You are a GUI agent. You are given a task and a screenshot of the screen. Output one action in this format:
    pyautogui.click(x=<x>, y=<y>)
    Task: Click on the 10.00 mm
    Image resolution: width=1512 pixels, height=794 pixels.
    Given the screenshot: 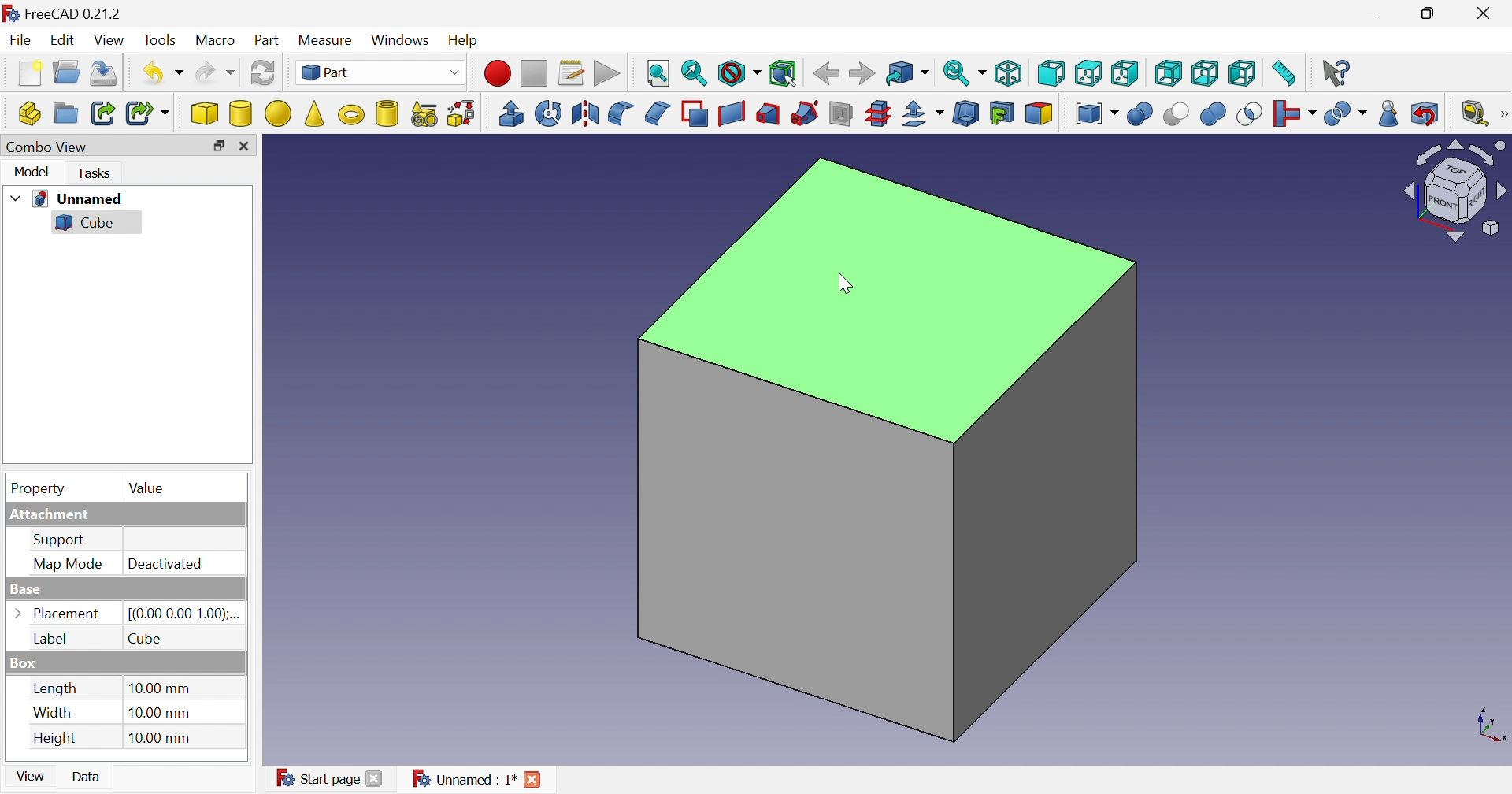 What is the action you would take?
    pyautogui.click(x=163, y=713)
    